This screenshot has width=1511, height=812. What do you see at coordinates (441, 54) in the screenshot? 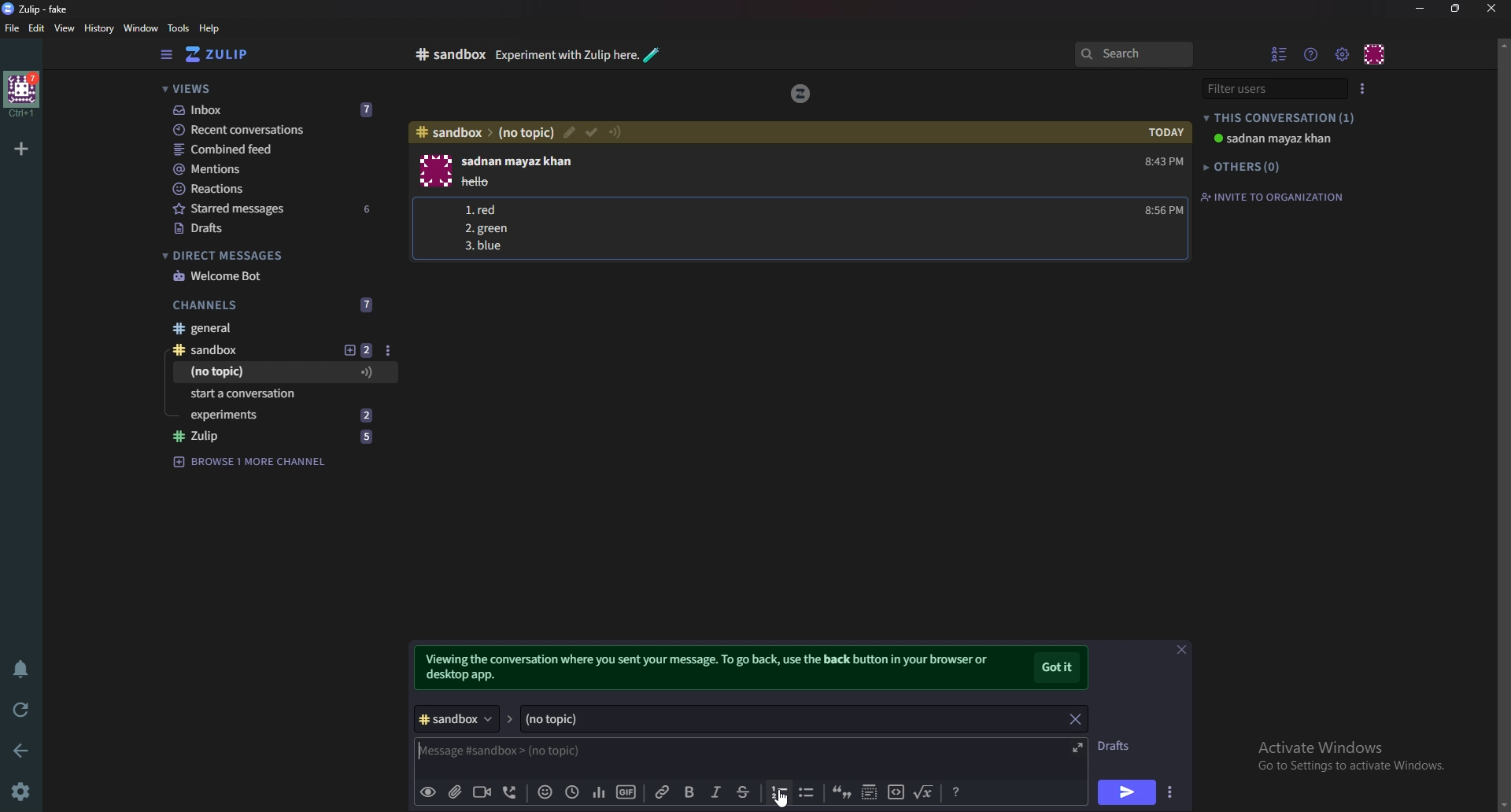
I see `Inbox` at bounding box center [441, 54].